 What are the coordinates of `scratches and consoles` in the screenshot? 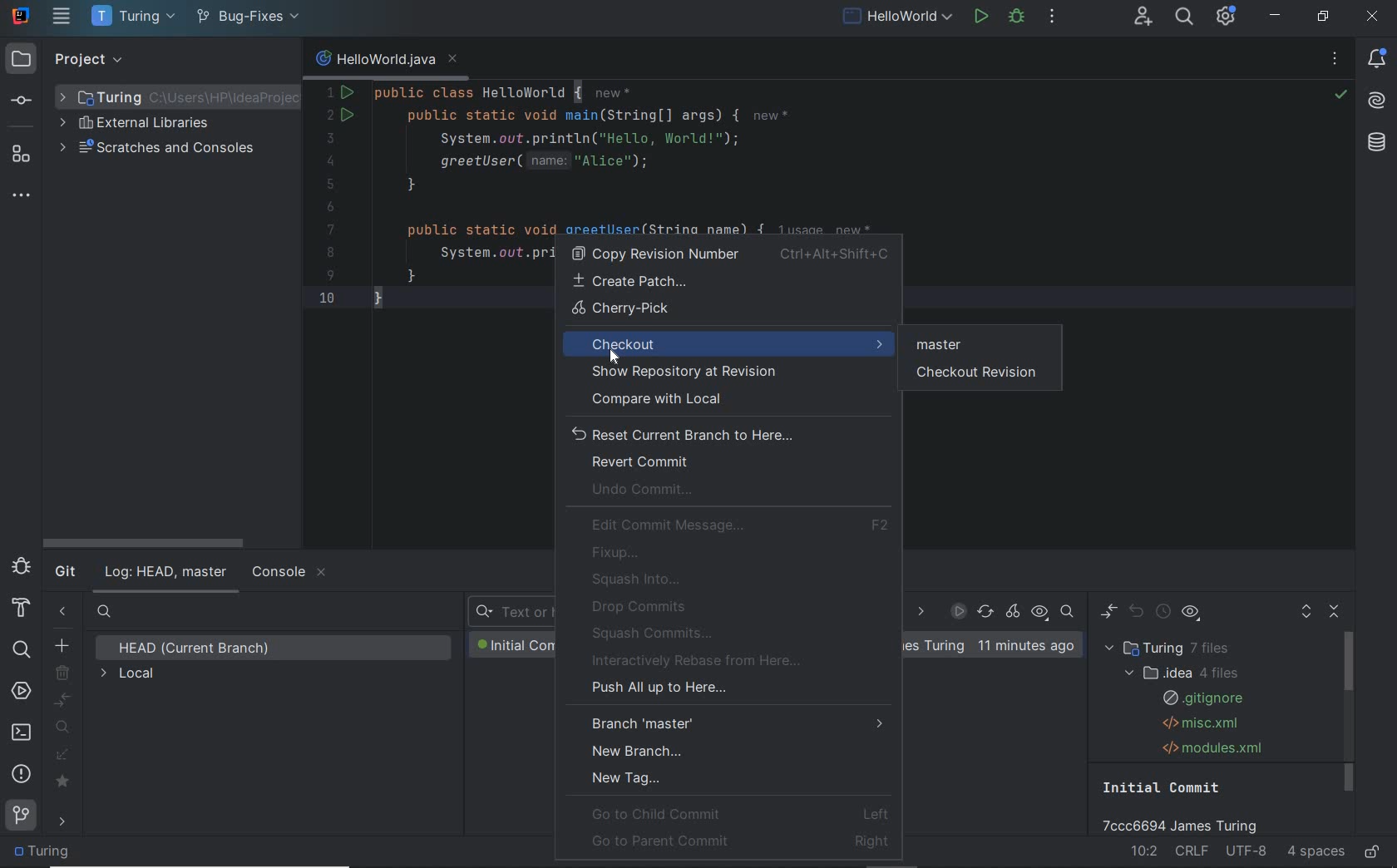 It's located at (160, 149).